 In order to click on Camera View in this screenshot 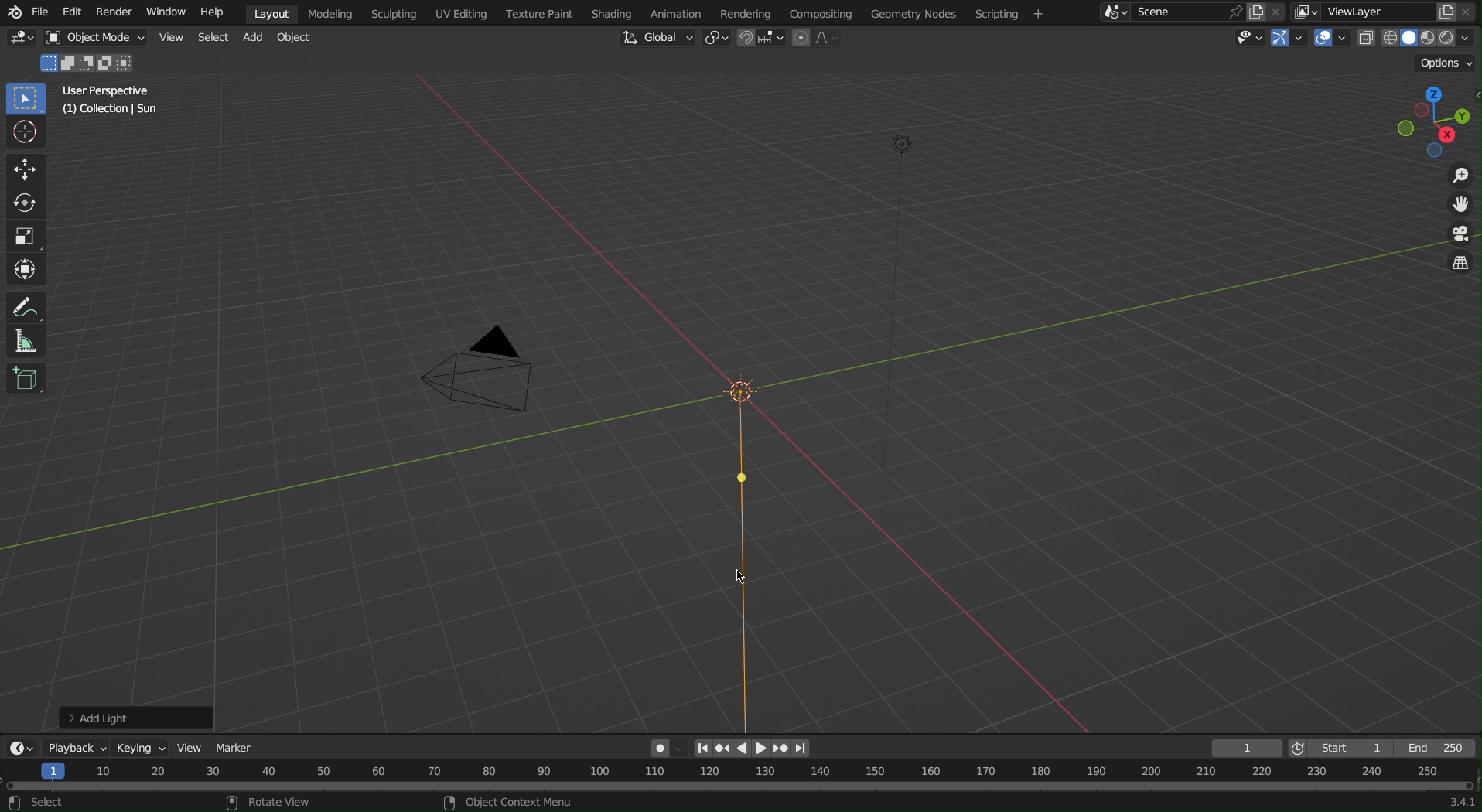, I will do `click(1457, 235)`.